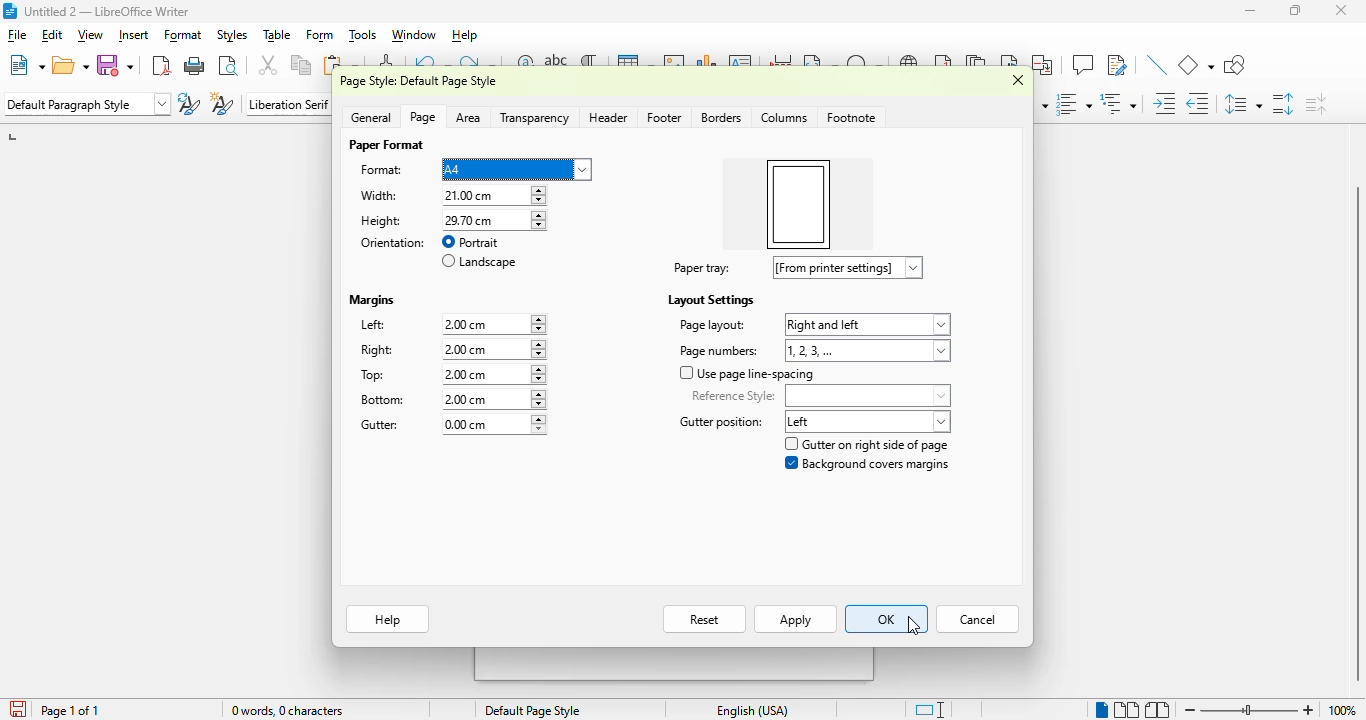  I want to click on bottom: 2.00 cm, so click(448, 400).